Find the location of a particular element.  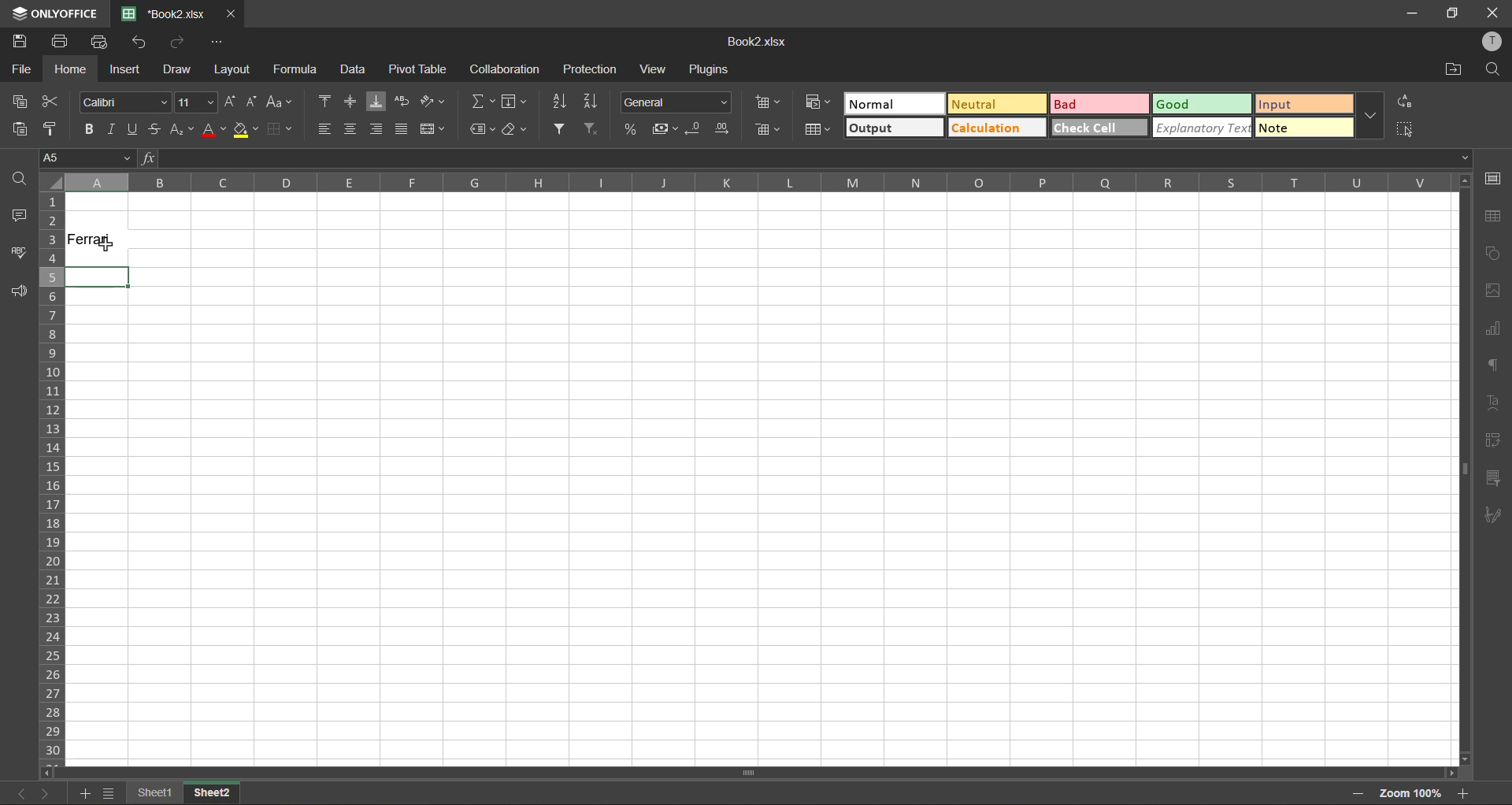

orientation is located at coordinates (434, 101).